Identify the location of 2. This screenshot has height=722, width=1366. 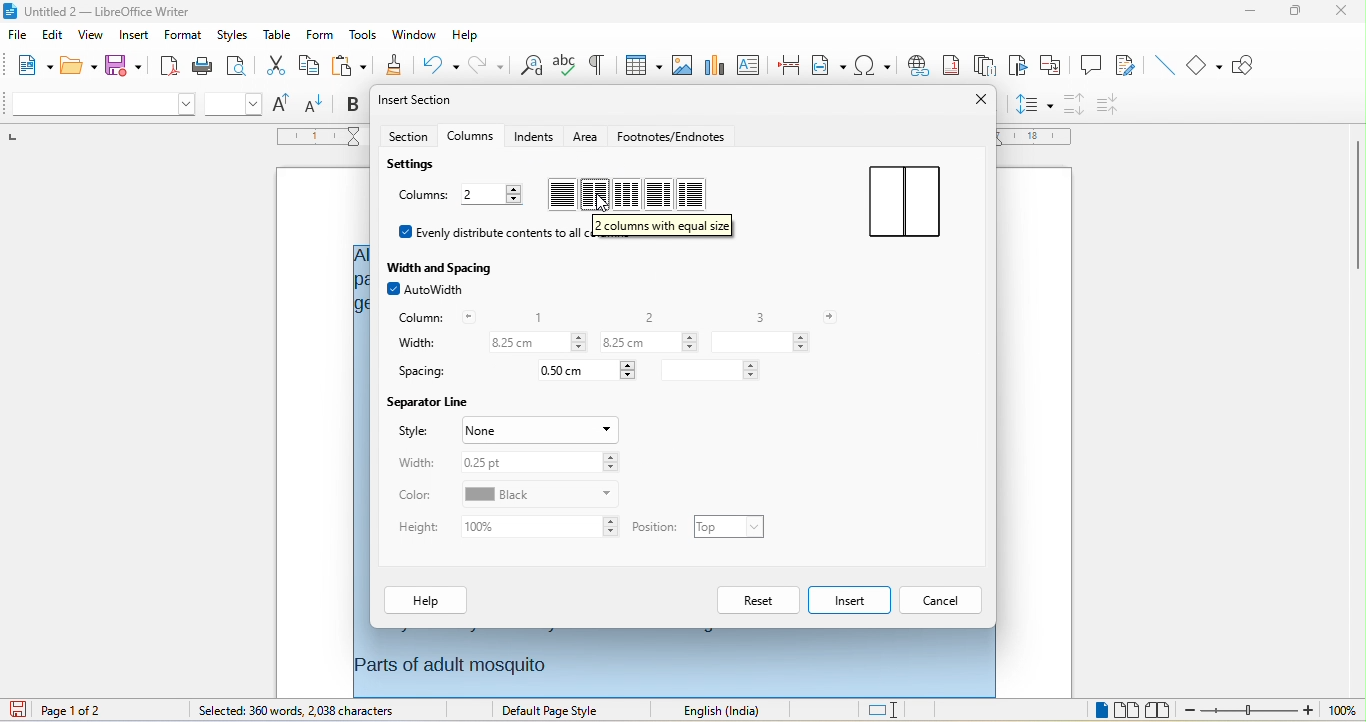
(644, 317).